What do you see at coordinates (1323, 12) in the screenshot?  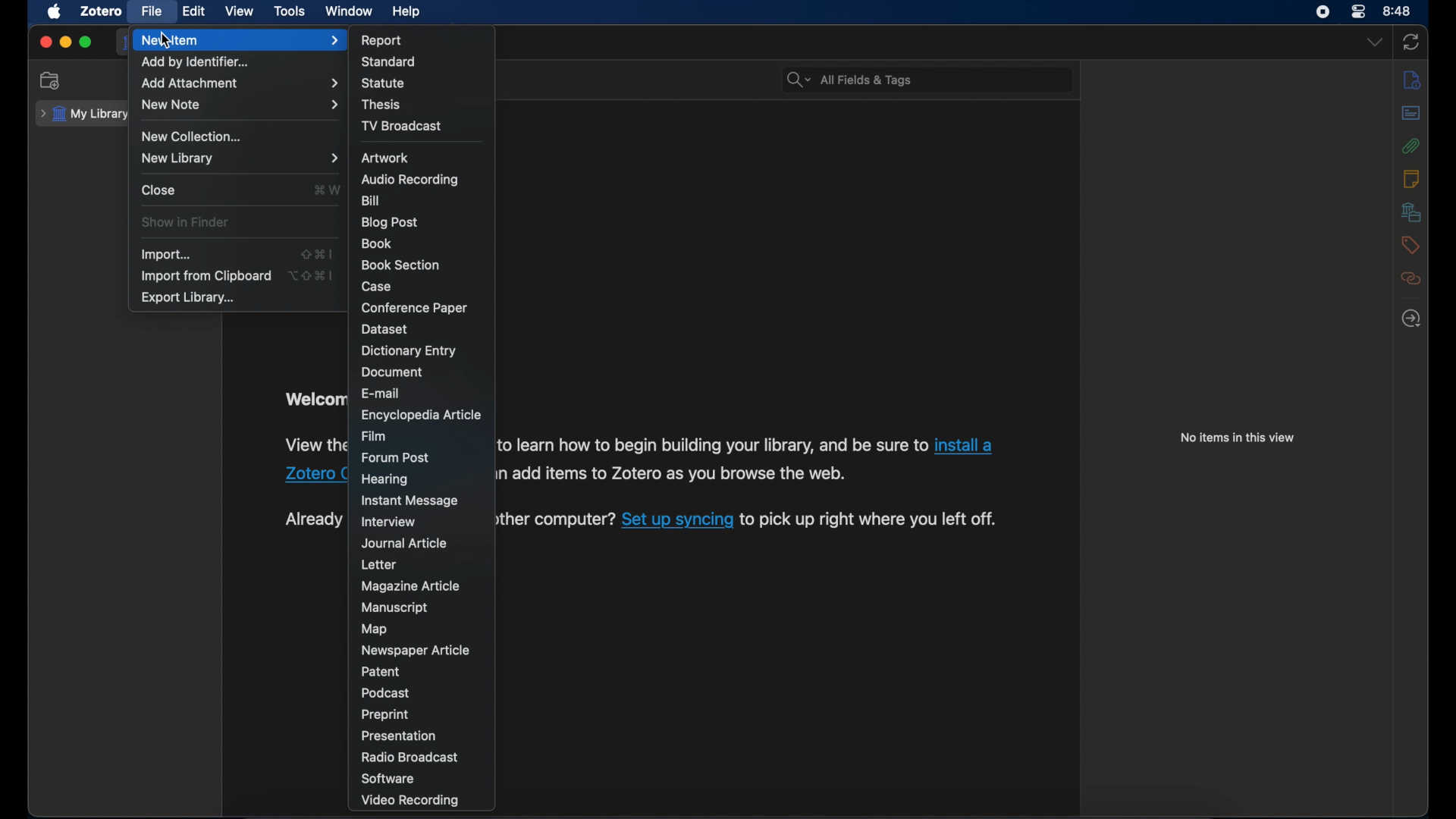 I see `screen recorder` at bounding box center [1323, 12].